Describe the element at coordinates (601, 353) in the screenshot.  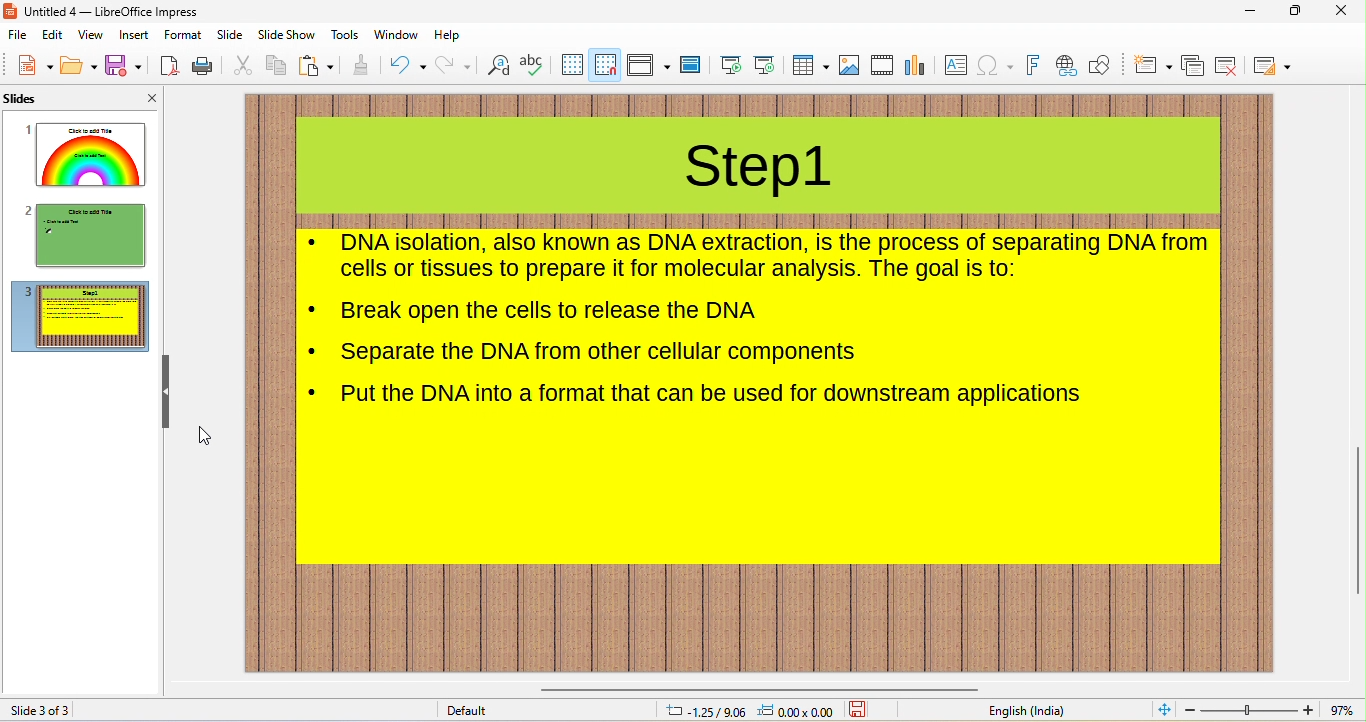
I see `content` at that location.